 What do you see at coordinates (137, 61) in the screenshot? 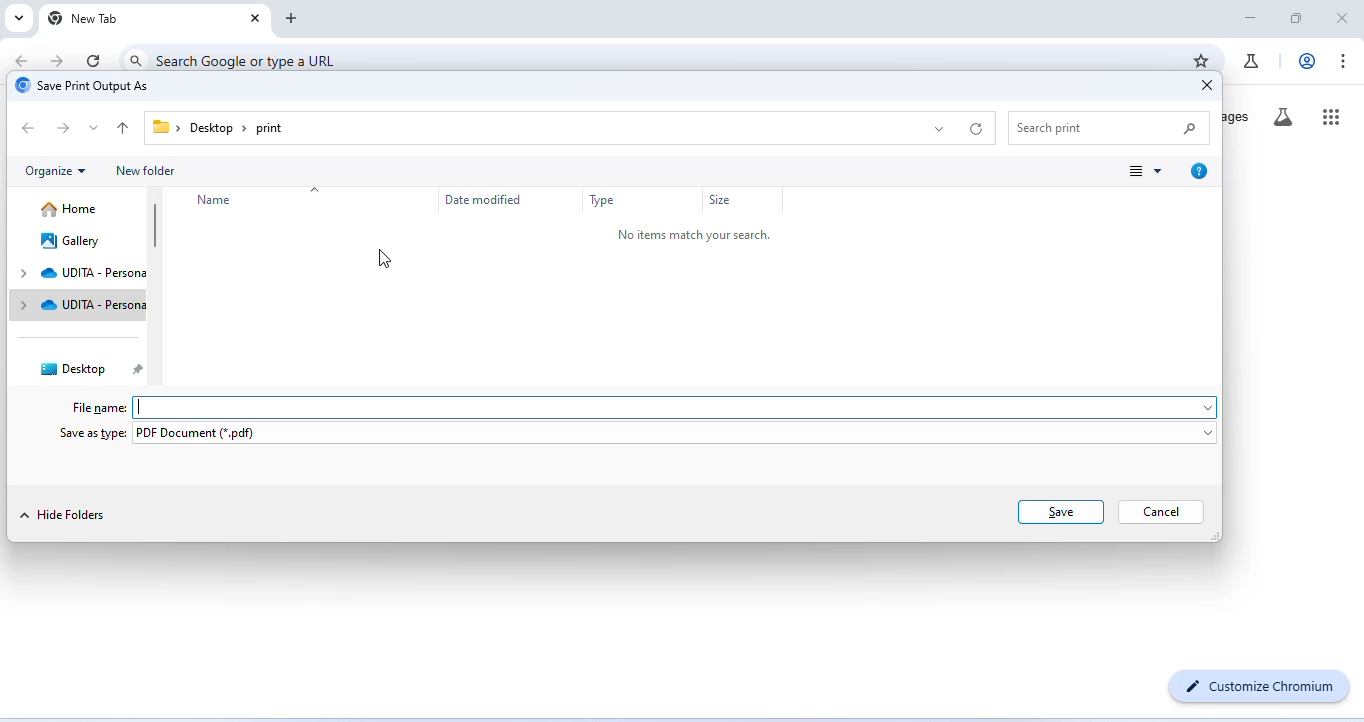
I see `search icon` at bounding box center [137, 61].